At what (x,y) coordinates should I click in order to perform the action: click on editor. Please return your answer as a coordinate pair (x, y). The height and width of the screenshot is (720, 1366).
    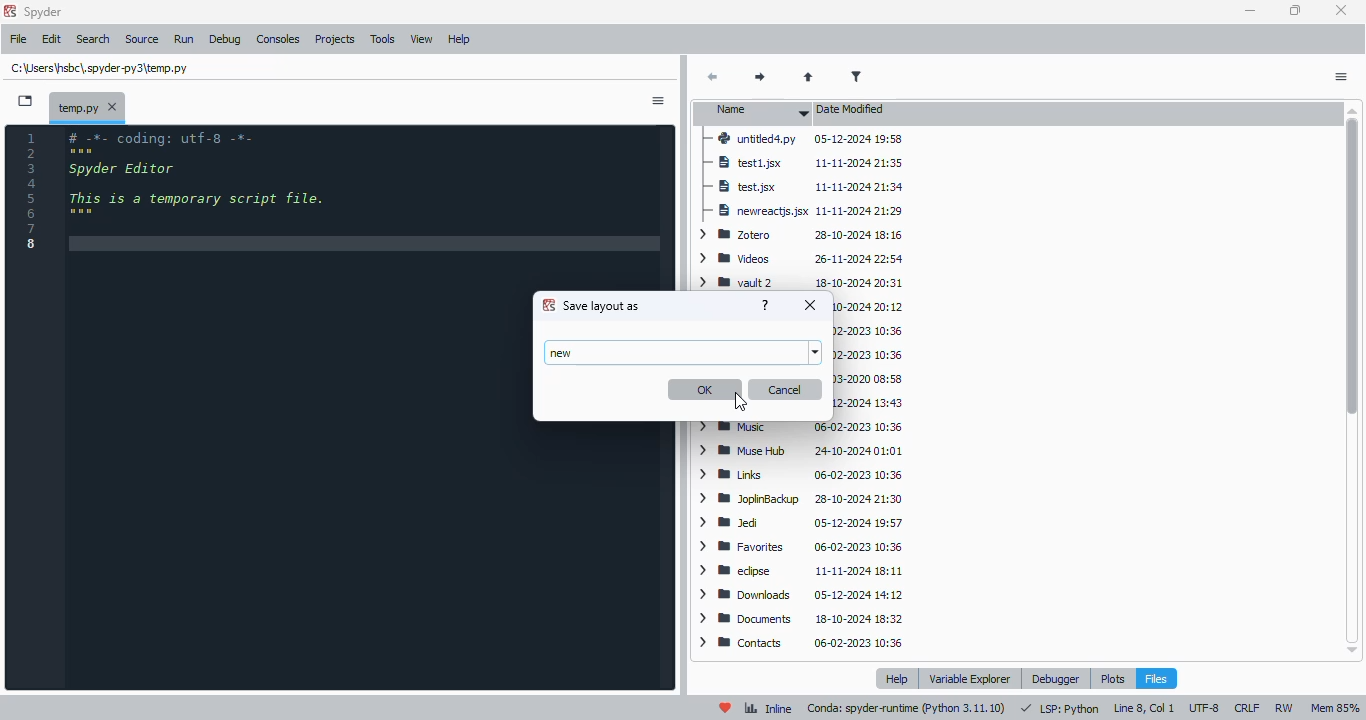
    Looking at the image, I should click on (296, 408).